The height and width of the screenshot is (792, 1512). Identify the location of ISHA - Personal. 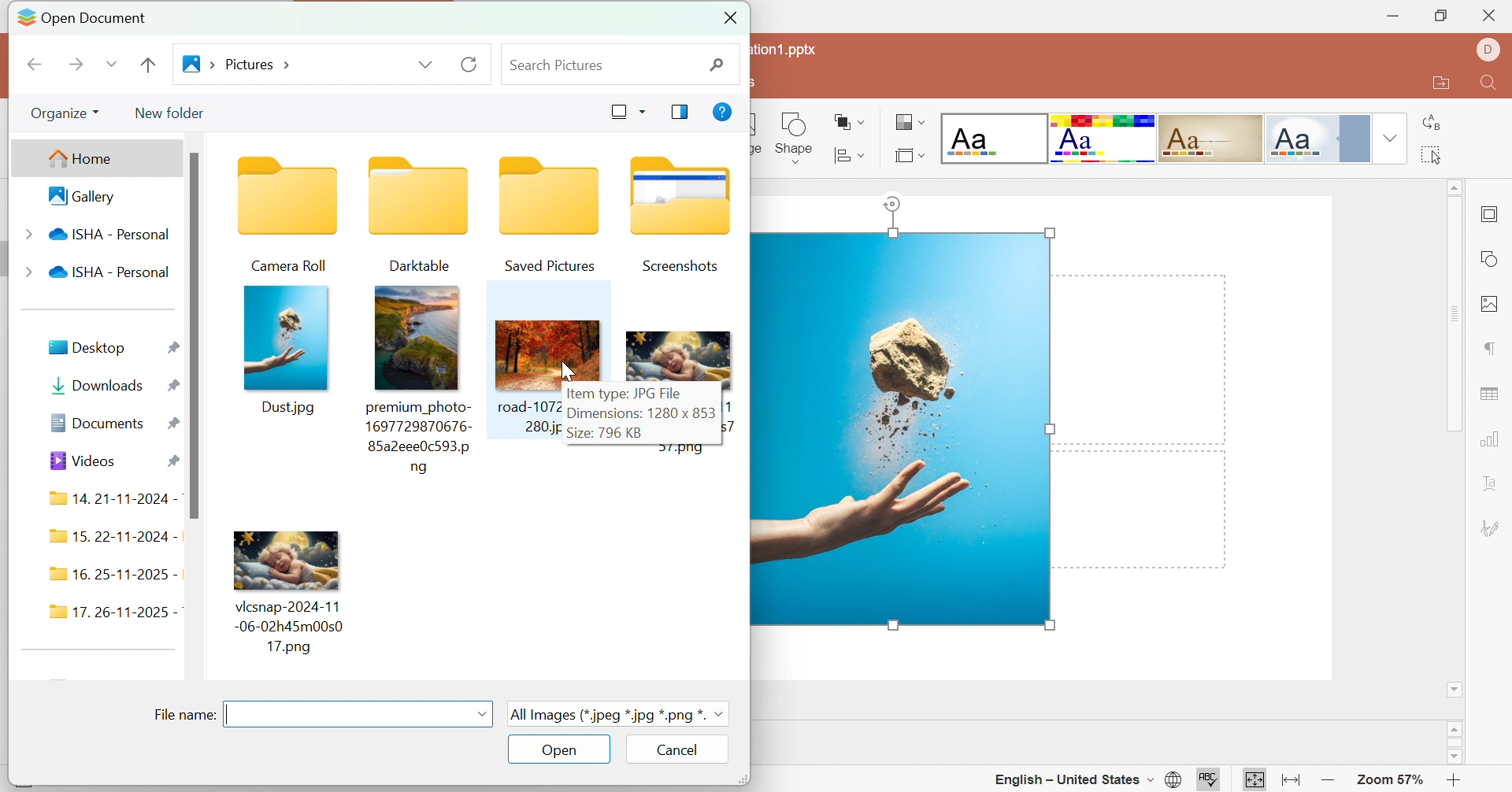
(109, 234).